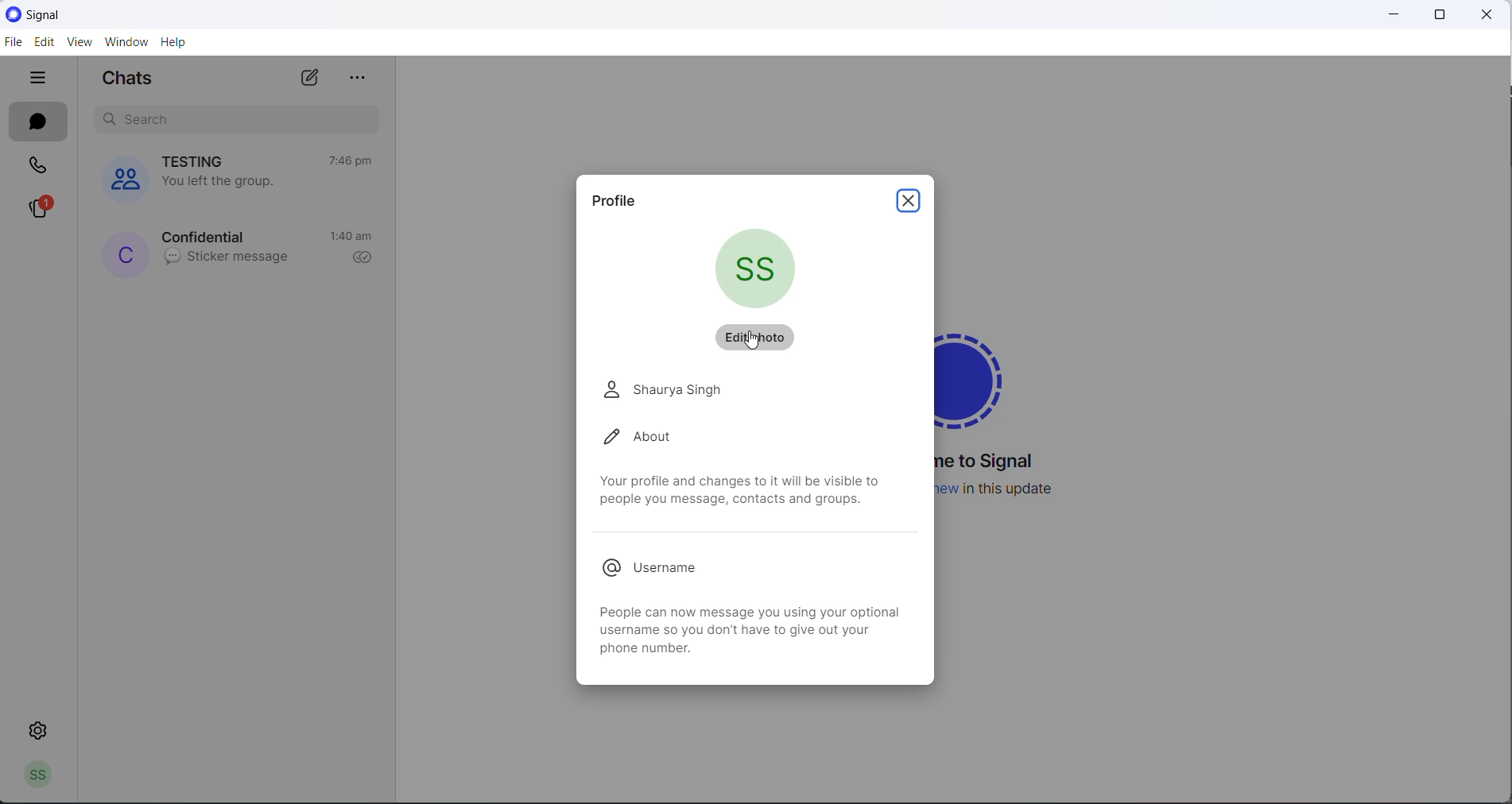  Describe the element at coordinates (757, 269) in the screenshot. I see `current profile picture` at that location.